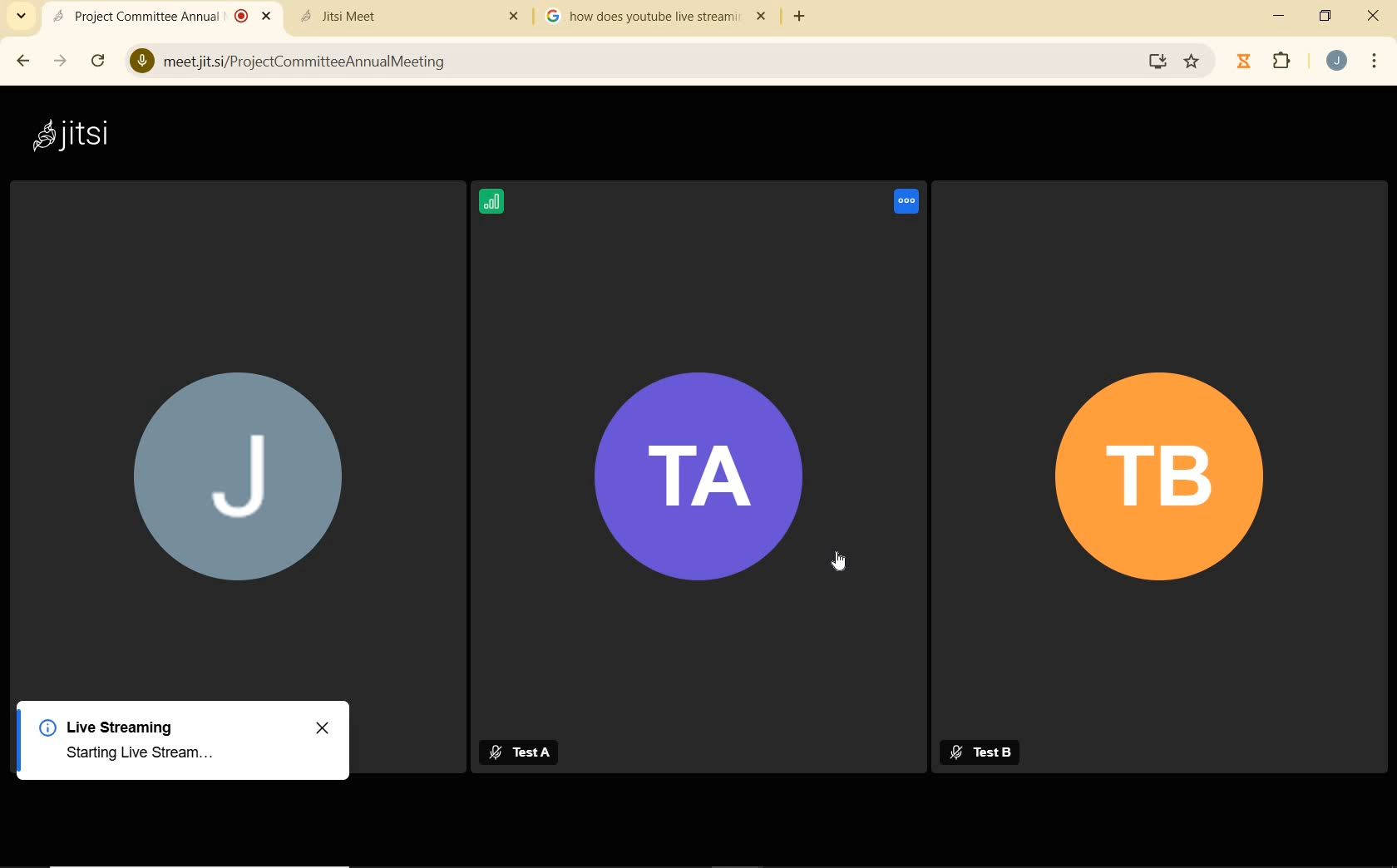 This screenshot has width=1397, height=868. I want to click on cursor, so click(846, 560).